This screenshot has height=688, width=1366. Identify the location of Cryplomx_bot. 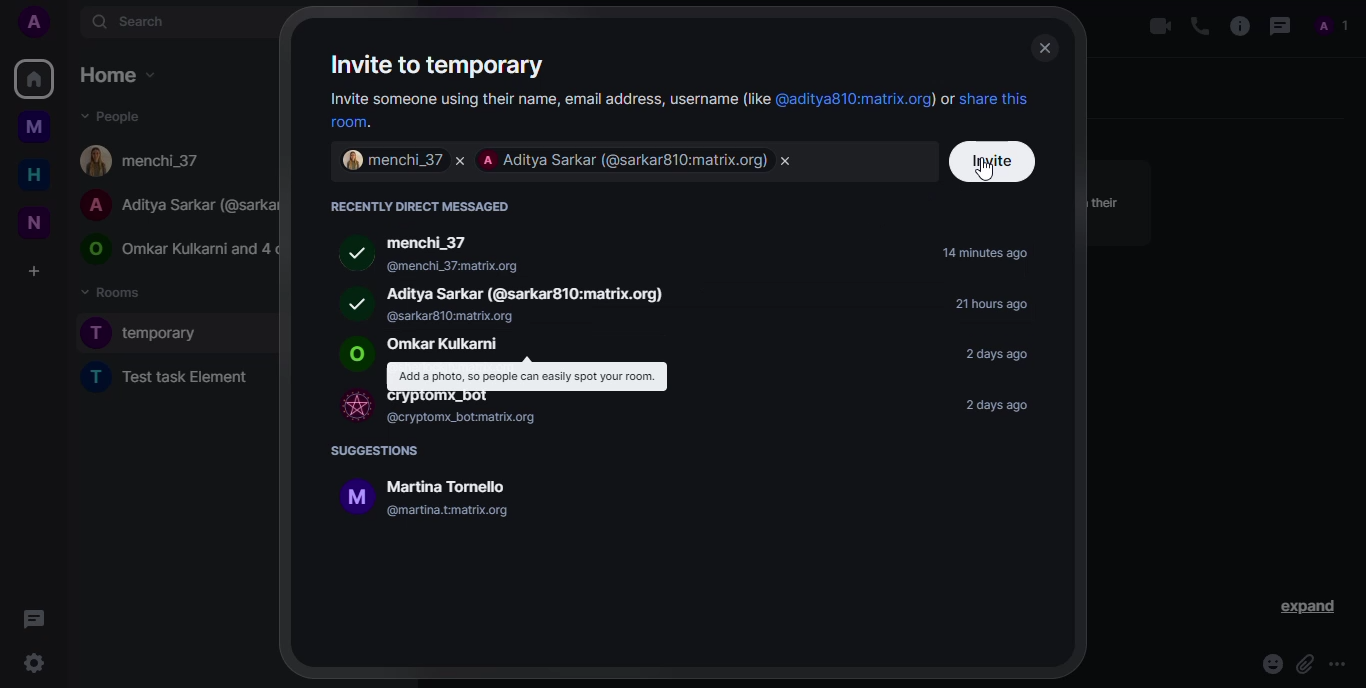
(442, 398).